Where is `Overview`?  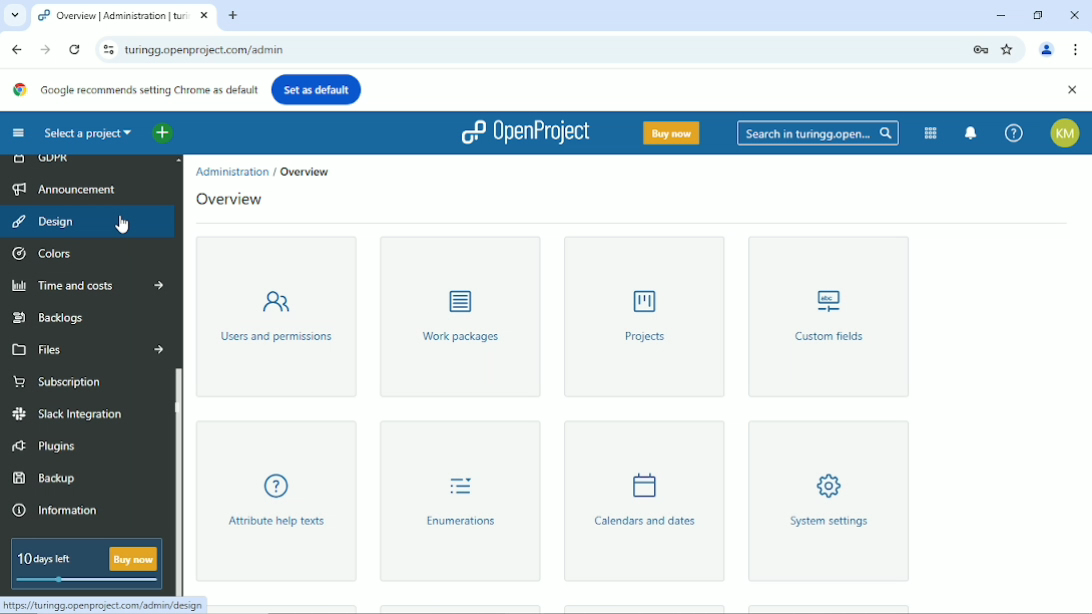
Overview is located at coordinates (308, 171).